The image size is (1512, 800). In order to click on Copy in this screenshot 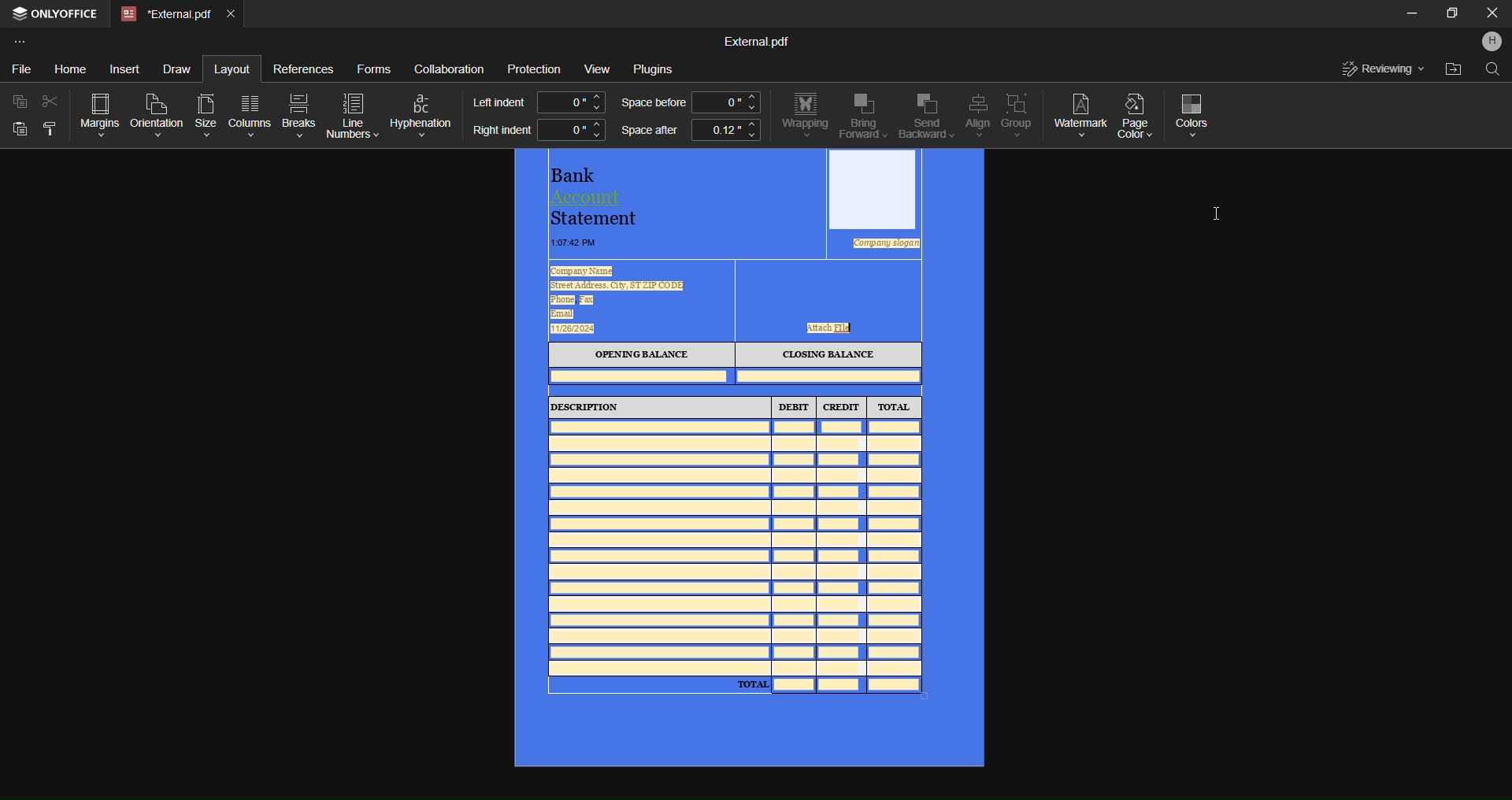, I will do `click(17, 102)`.